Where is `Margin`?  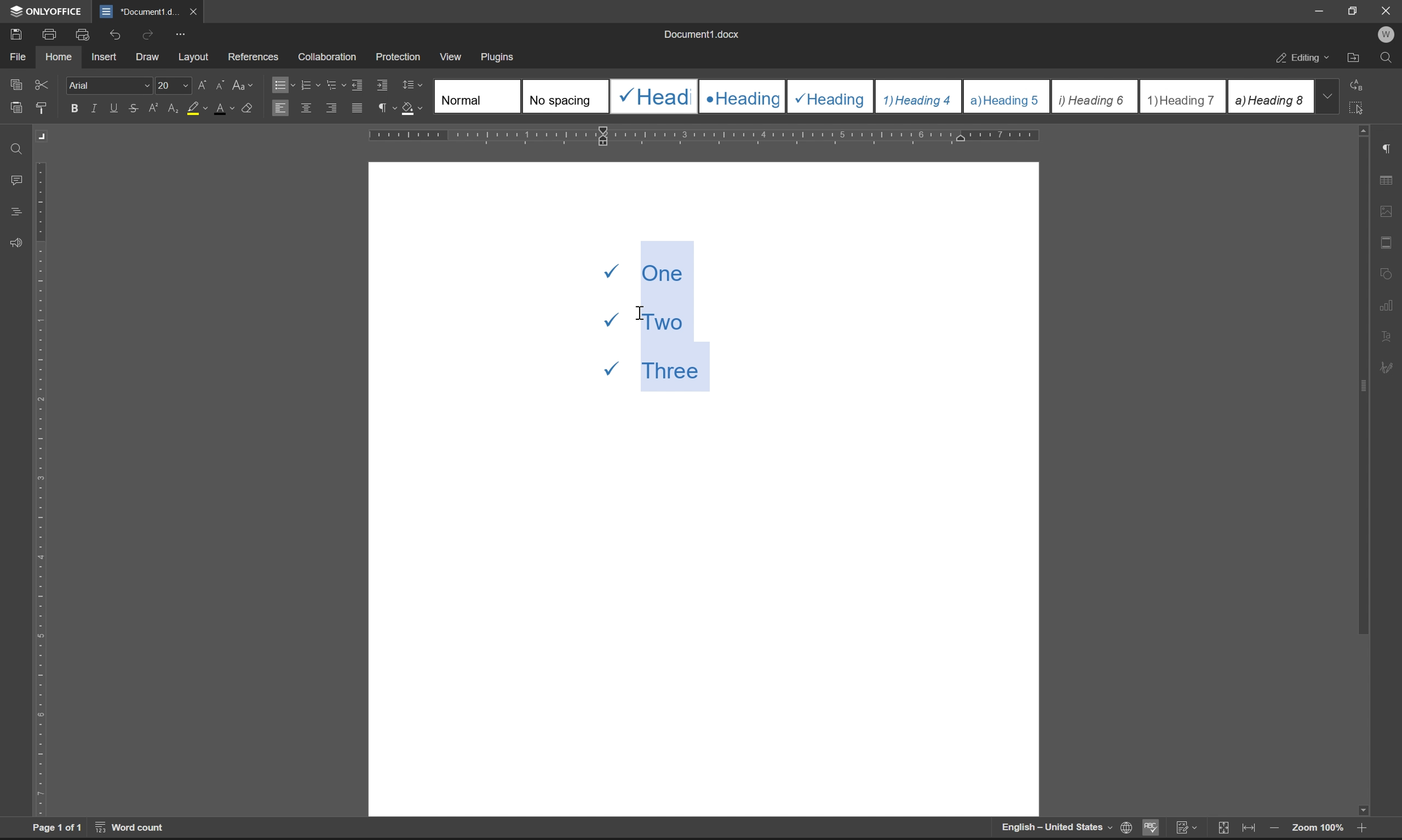
Margin is located at coordinates (44, 136).